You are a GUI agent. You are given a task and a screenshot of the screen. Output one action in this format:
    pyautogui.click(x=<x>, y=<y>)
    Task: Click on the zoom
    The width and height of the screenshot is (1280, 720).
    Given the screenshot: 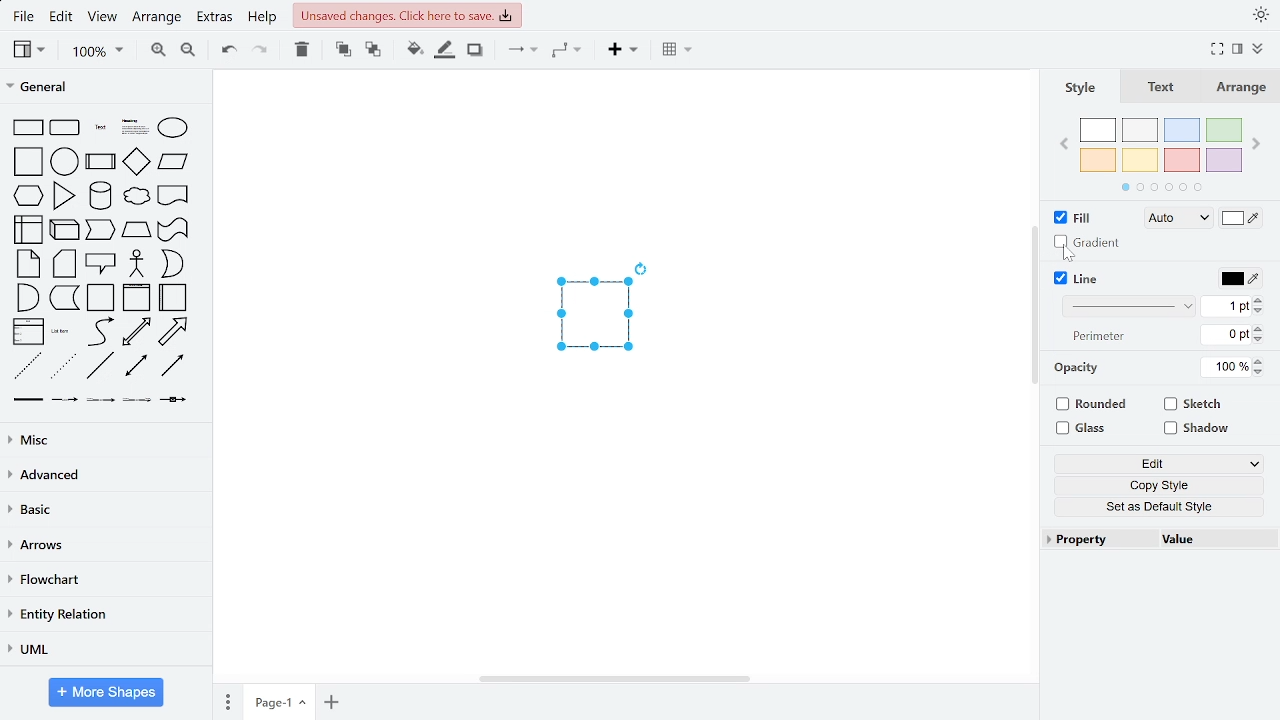 What is the action you would take?
    pyautogui.click(x=92, y=50)
    